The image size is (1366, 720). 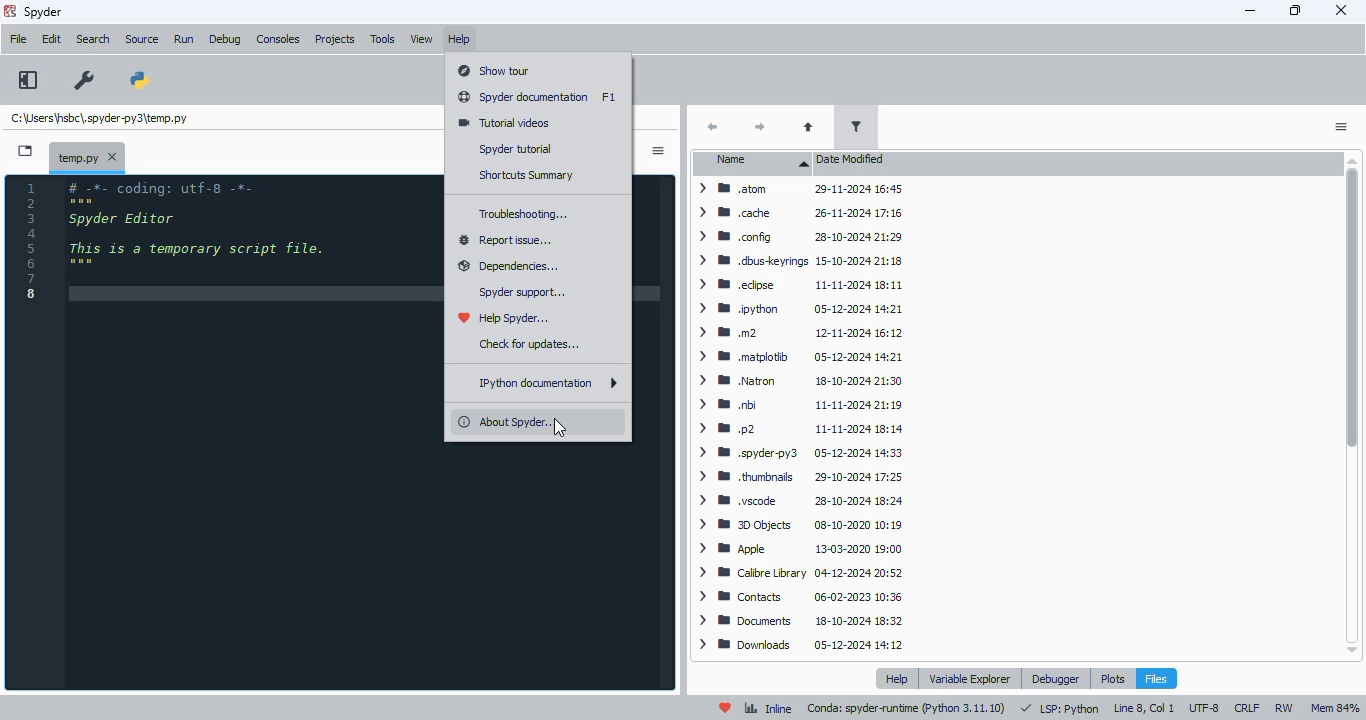 What do you see at coordinates (278, 39) in the screenshot?
I see `consoles` at bounding box center [278, 39].